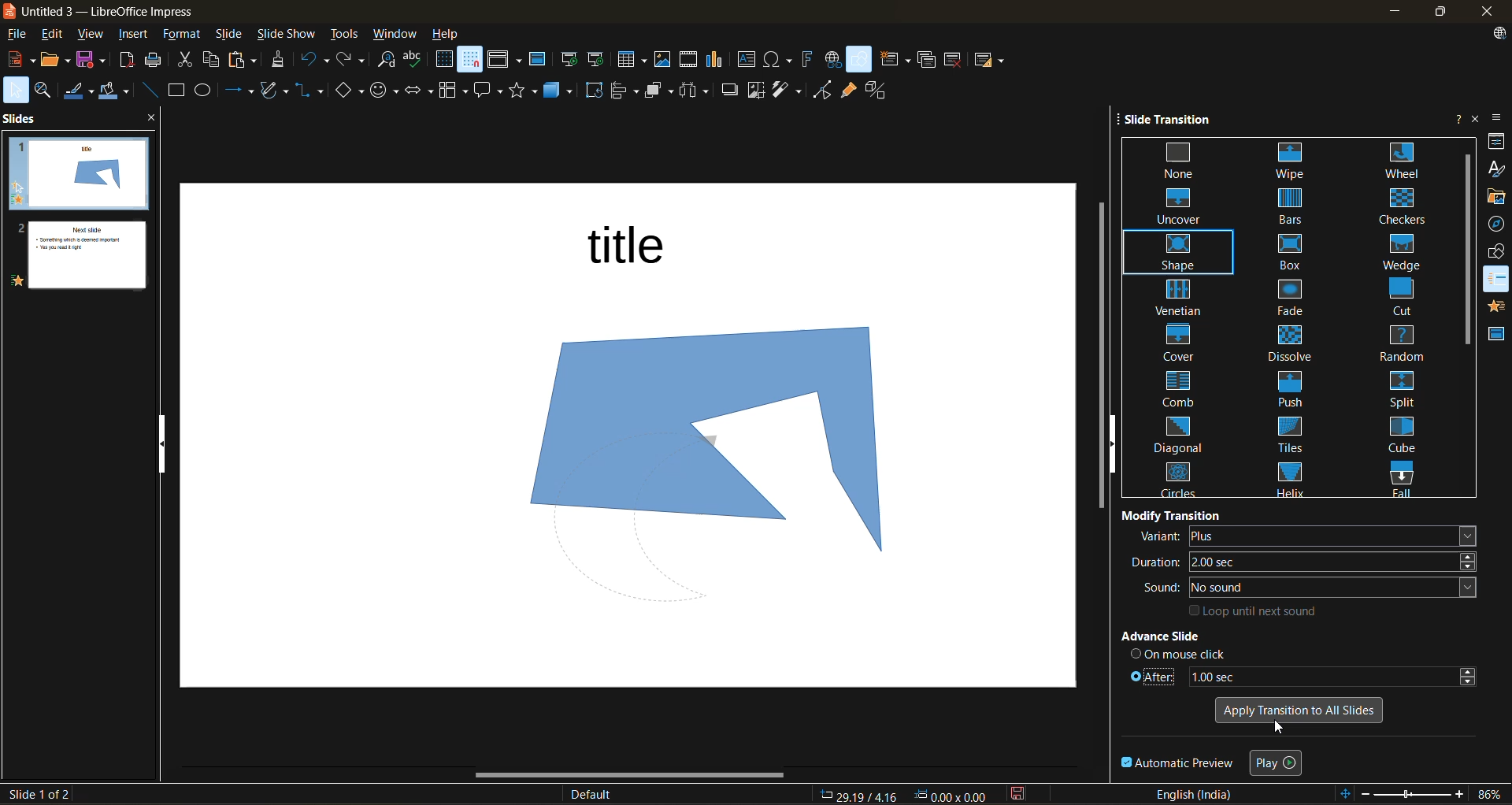  Describe the element at coordinates (823, 89) in the screenshot. I see `toggle point edit mode` at that location.